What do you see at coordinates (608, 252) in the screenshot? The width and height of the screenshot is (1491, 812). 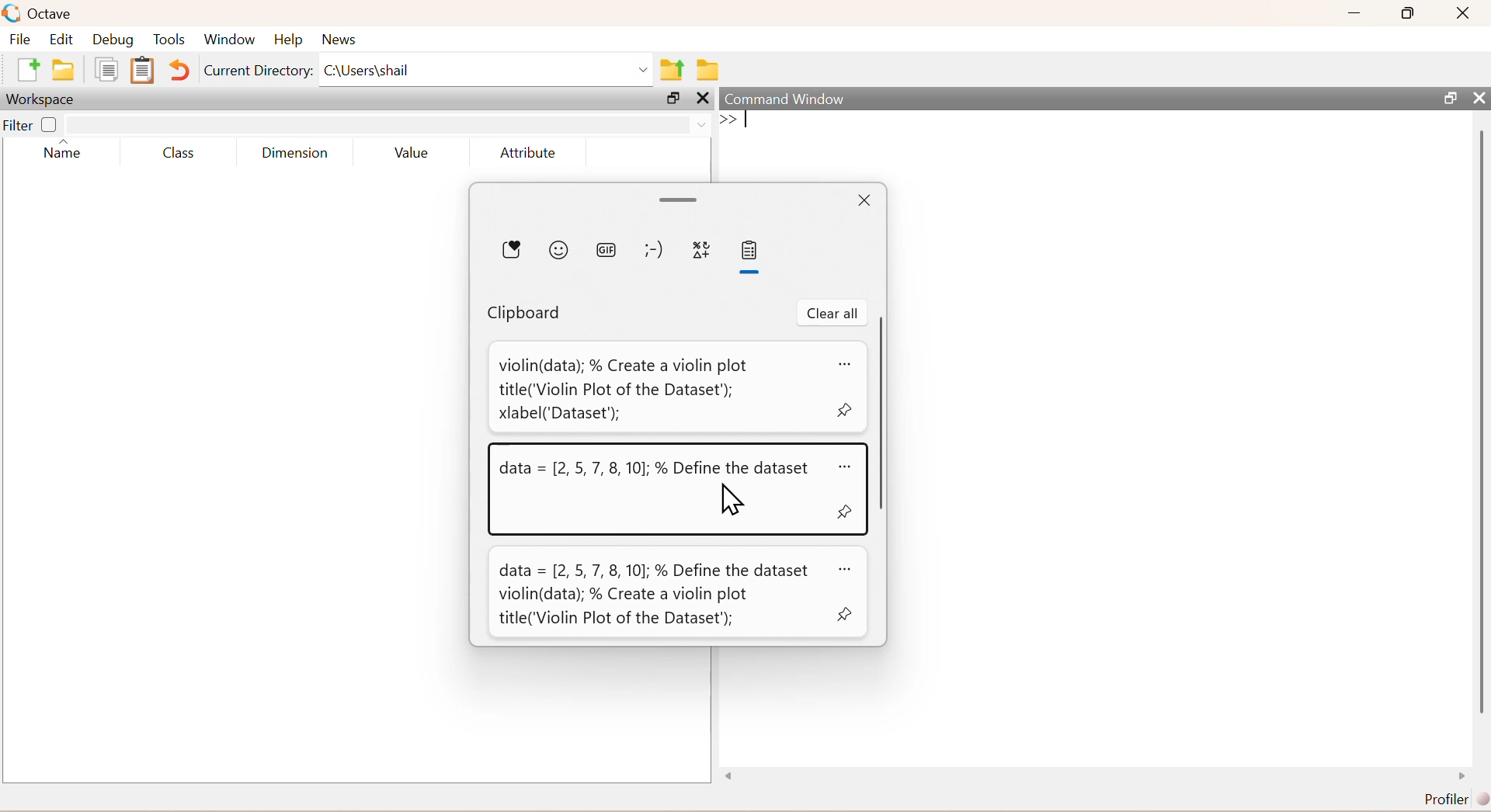 I see `gif` at bounding box center [608, 252].